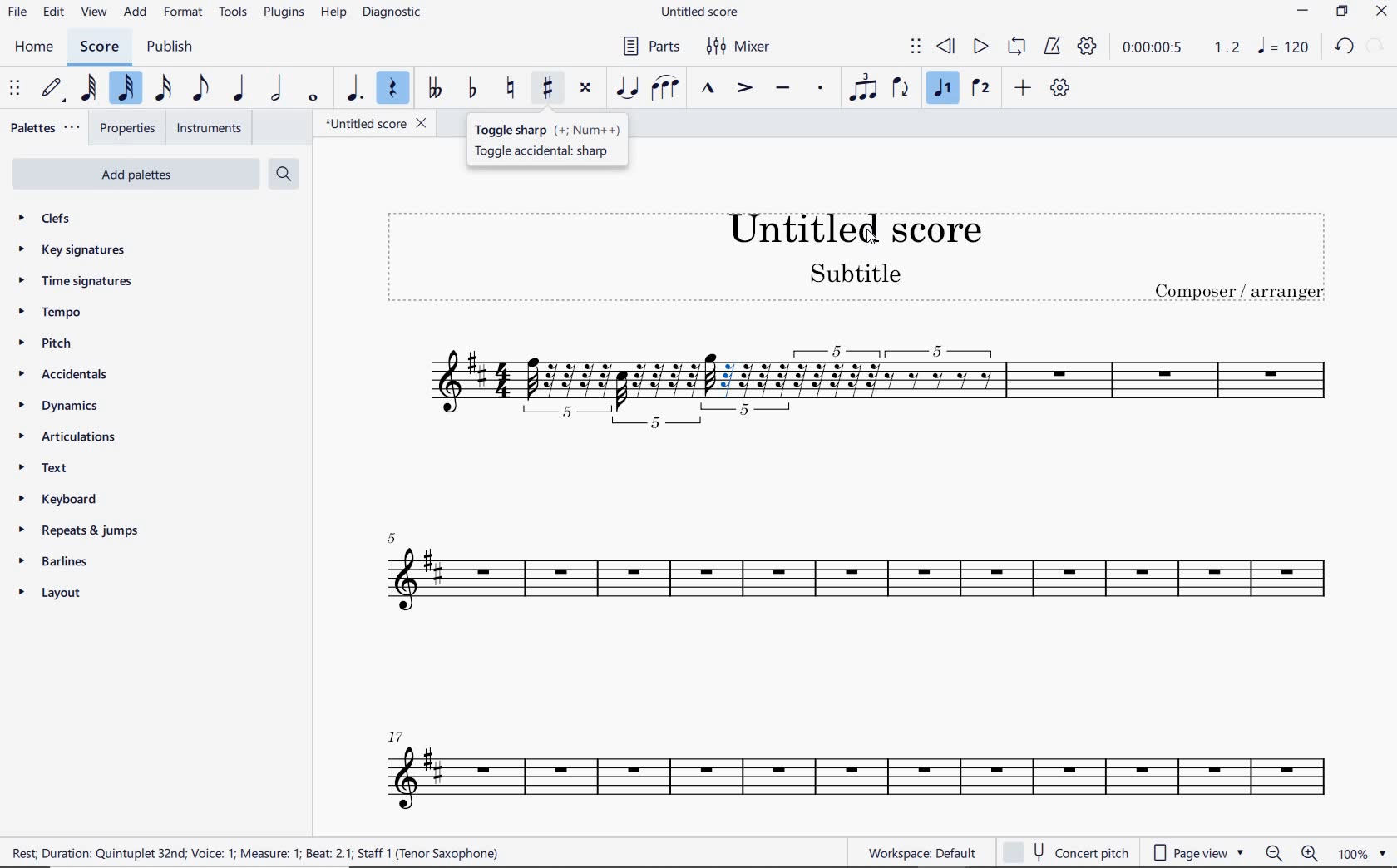  Describe the element at coordinates (856, 257) in the screenshot. I see `title` at that location.